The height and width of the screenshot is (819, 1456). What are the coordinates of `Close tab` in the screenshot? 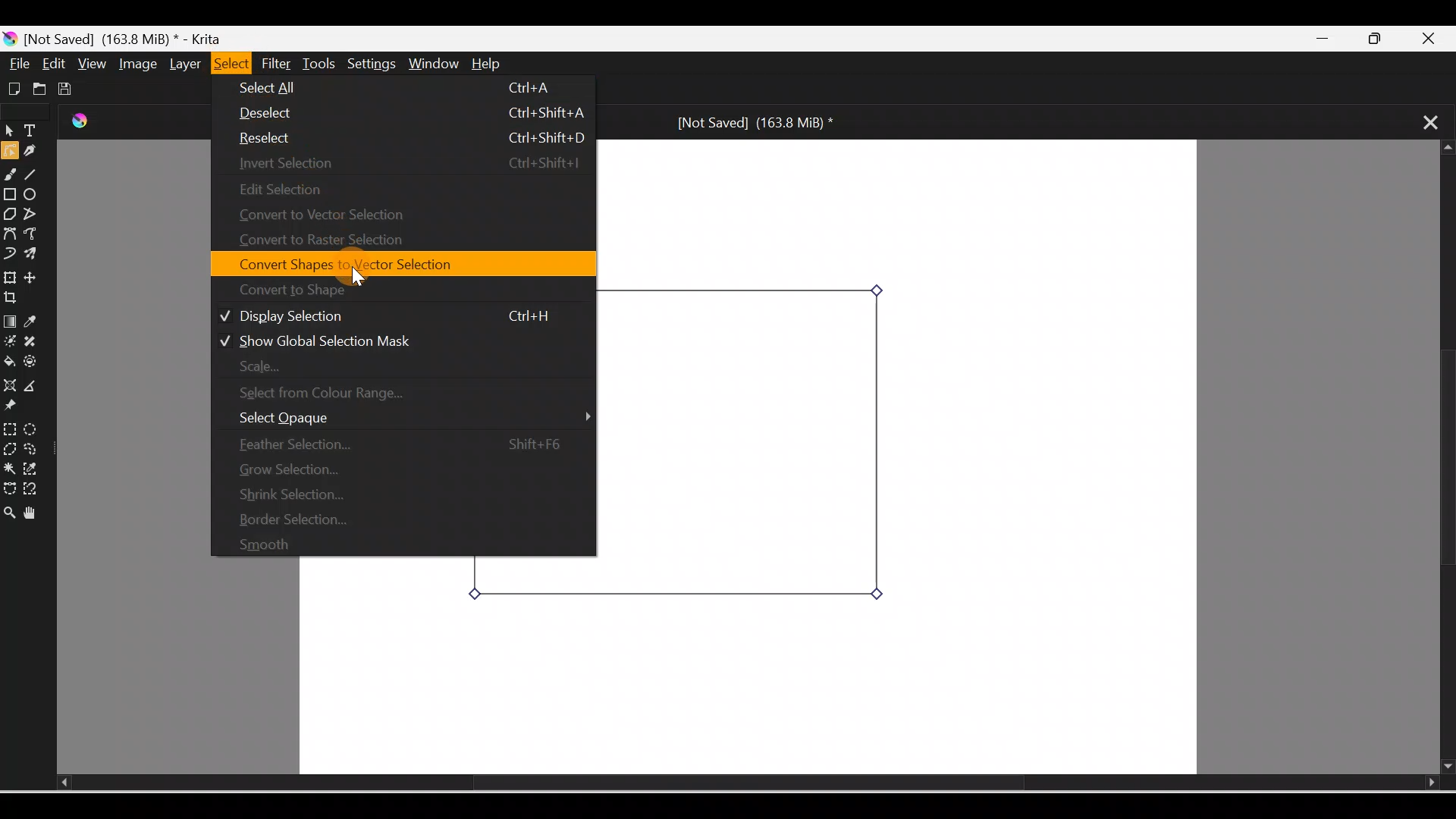 It's located at (1423, 121).